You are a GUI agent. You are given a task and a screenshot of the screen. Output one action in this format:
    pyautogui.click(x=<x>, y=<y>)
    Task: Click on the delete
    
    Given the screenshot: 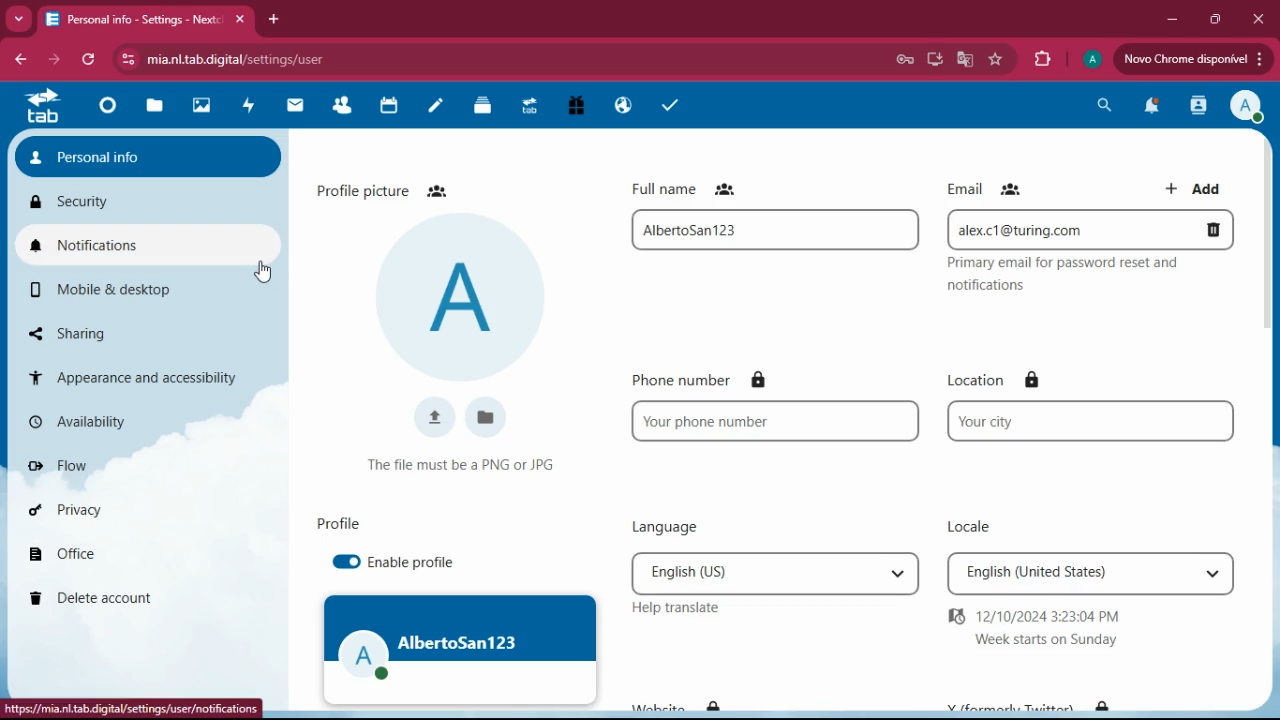 What is the action you would take?
    pyautogui.click(x=132, y=599)
    